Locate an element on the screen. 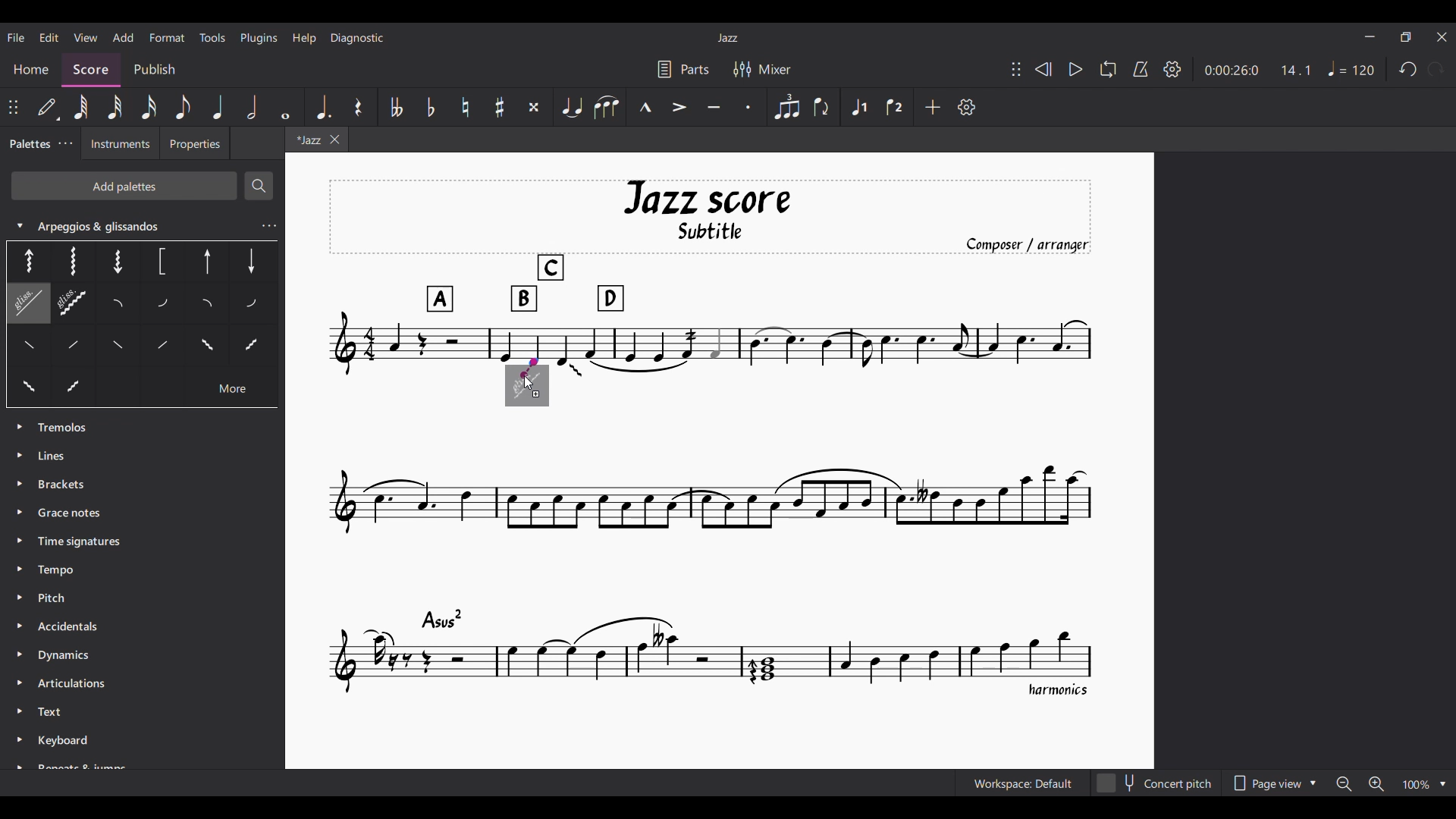 Image resolution: width=1456 pixels, height=819 pixels. Plugins menu is located at coordinates (259, 39).